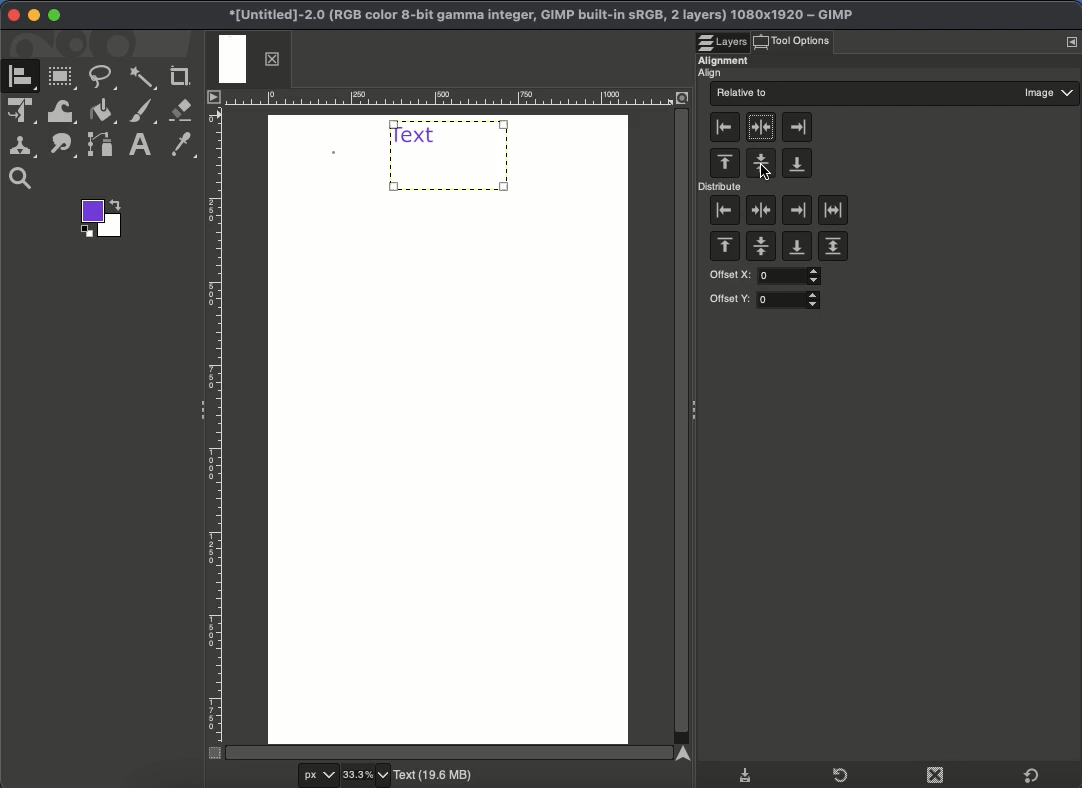 This screenshot has height=788, width=1082. What do you see at coordinates (683, 426) in the screenshot?
I see `Scroll` at bounding box center [683, 426].